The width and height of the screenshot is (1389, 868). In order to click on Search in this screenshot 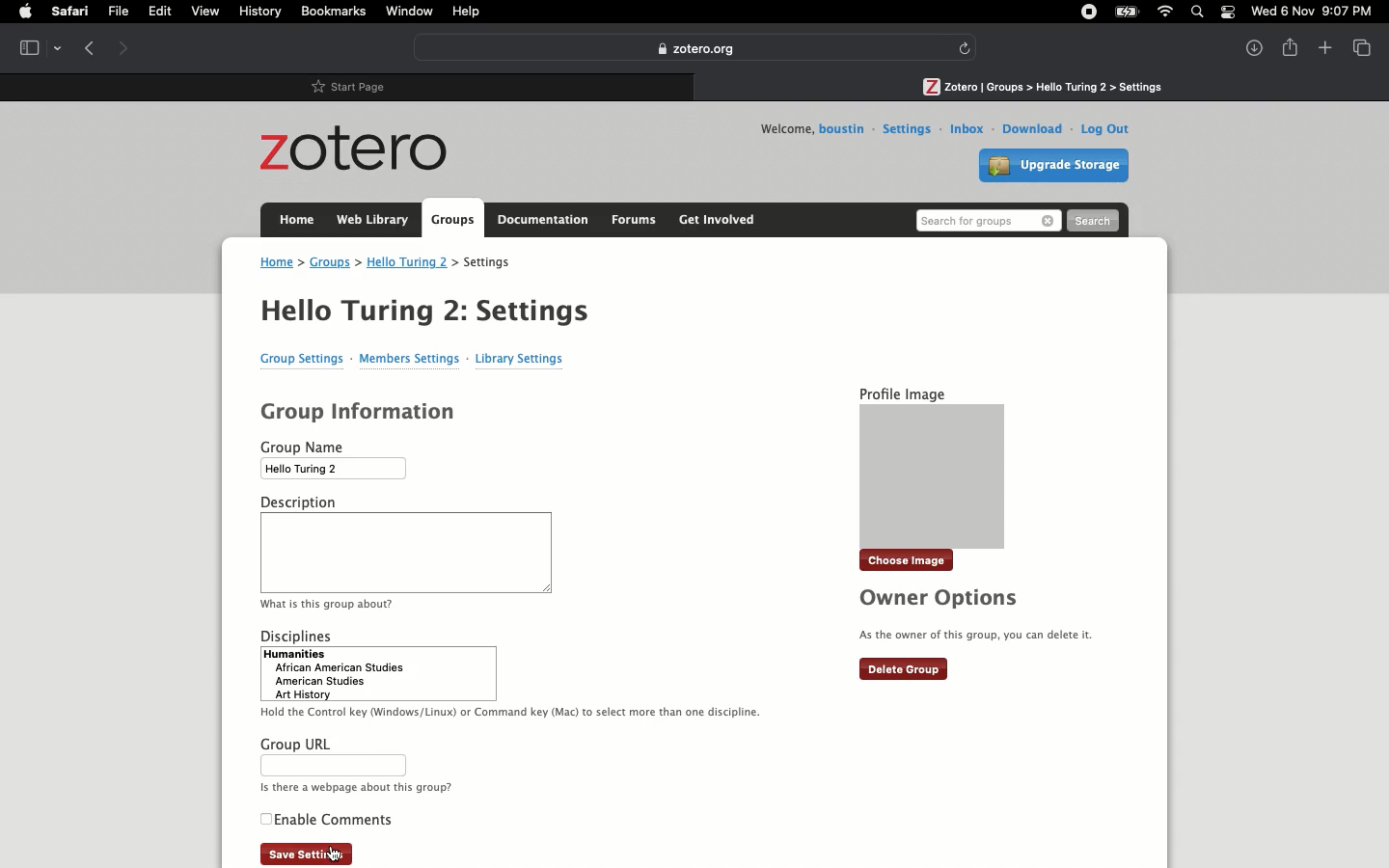, I will do `click(1093, 222)`.